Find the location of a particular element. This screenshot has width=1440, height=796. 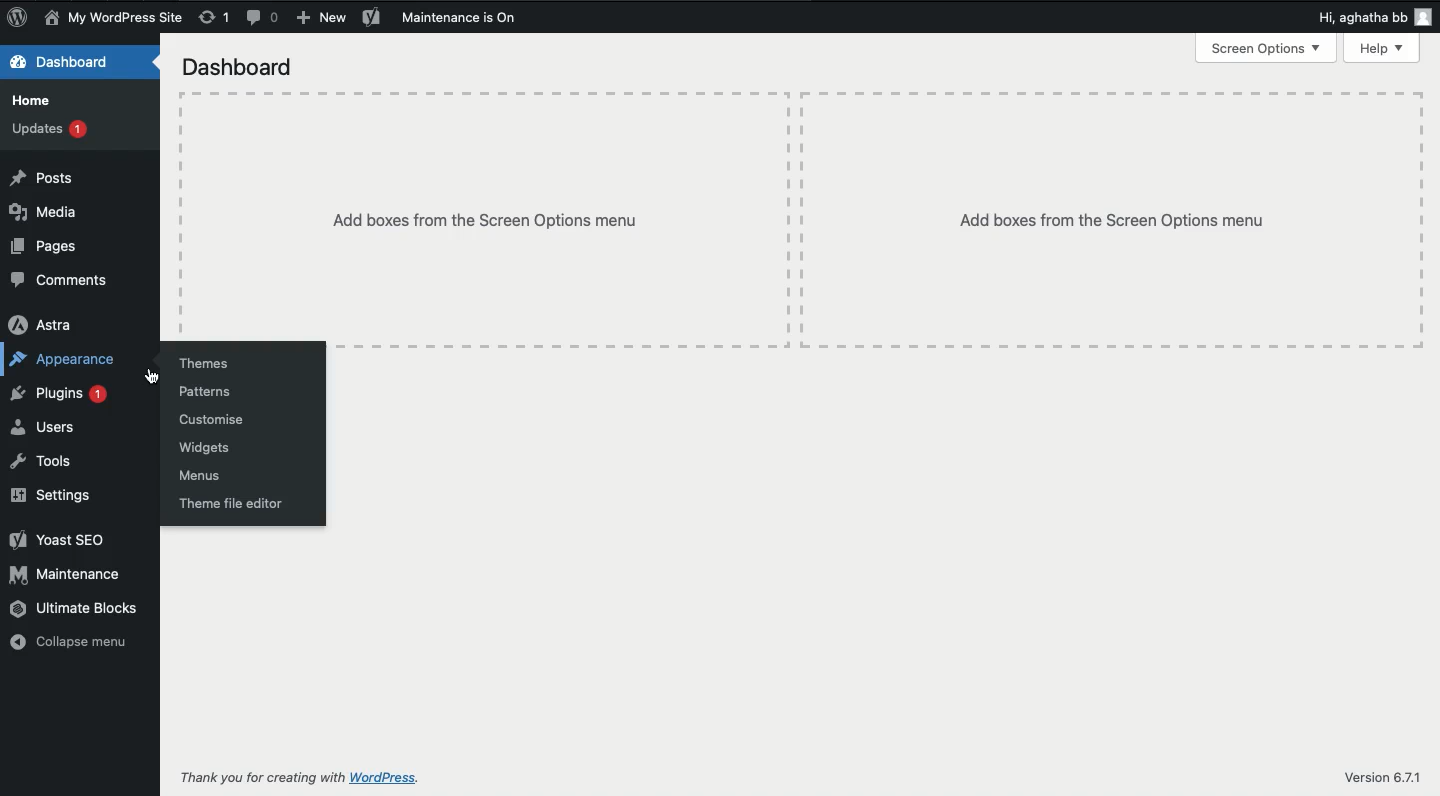

New is located at coordinates (321, 18).